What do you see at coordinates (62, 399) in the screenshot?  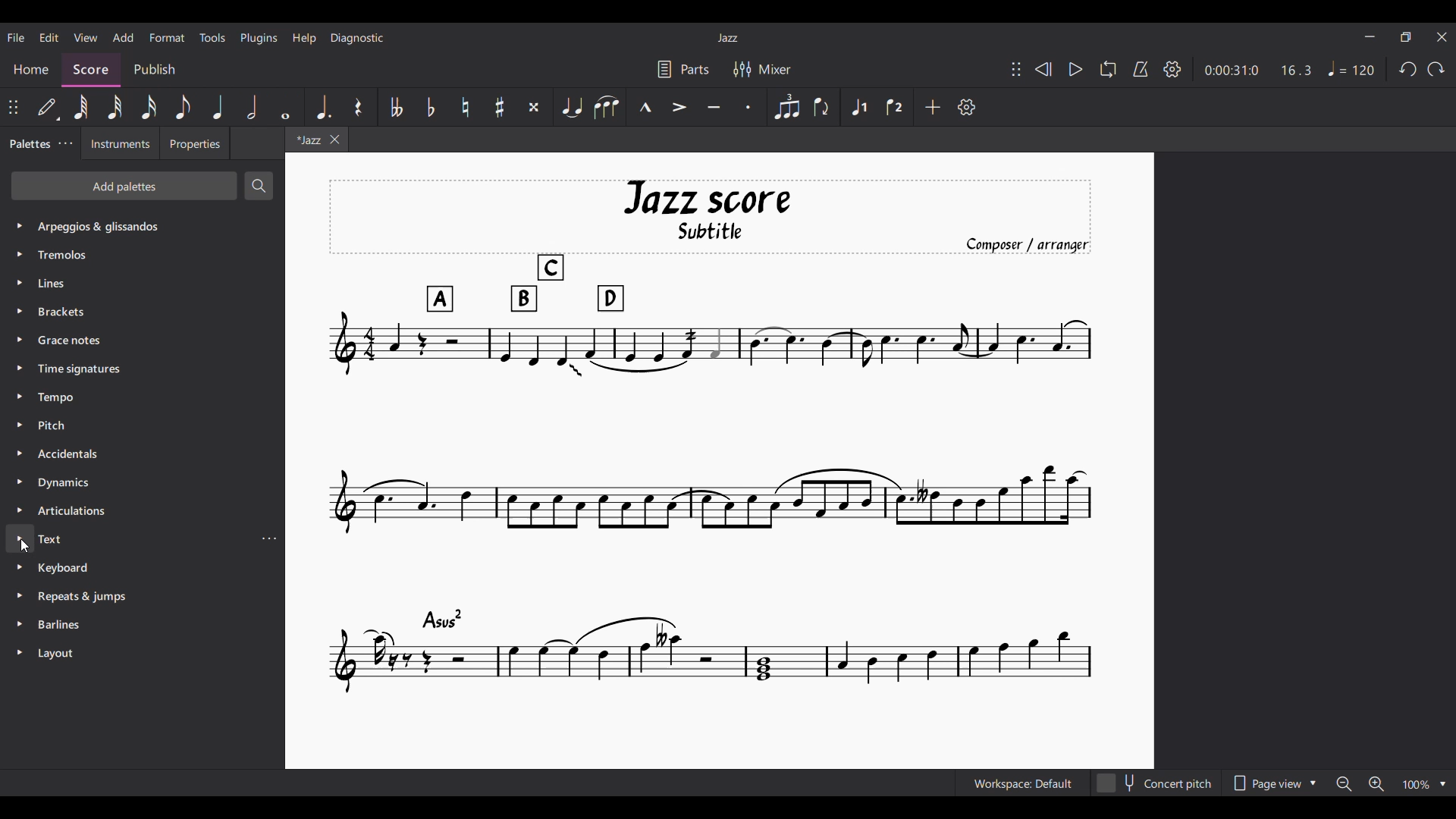 I see `` at bounding box center [62, 399].